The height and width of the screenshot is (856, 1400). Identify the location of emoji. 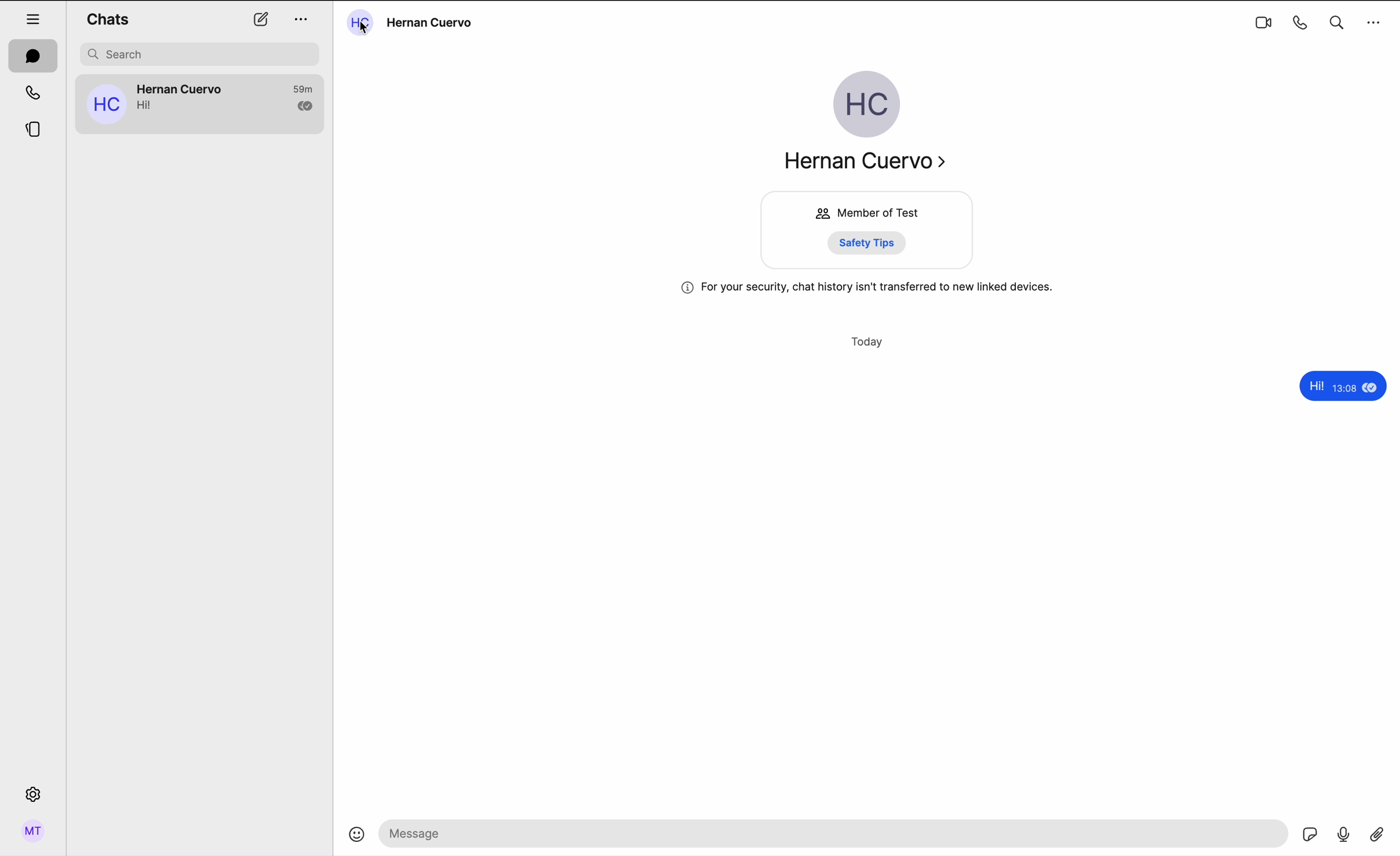
(356, 840).